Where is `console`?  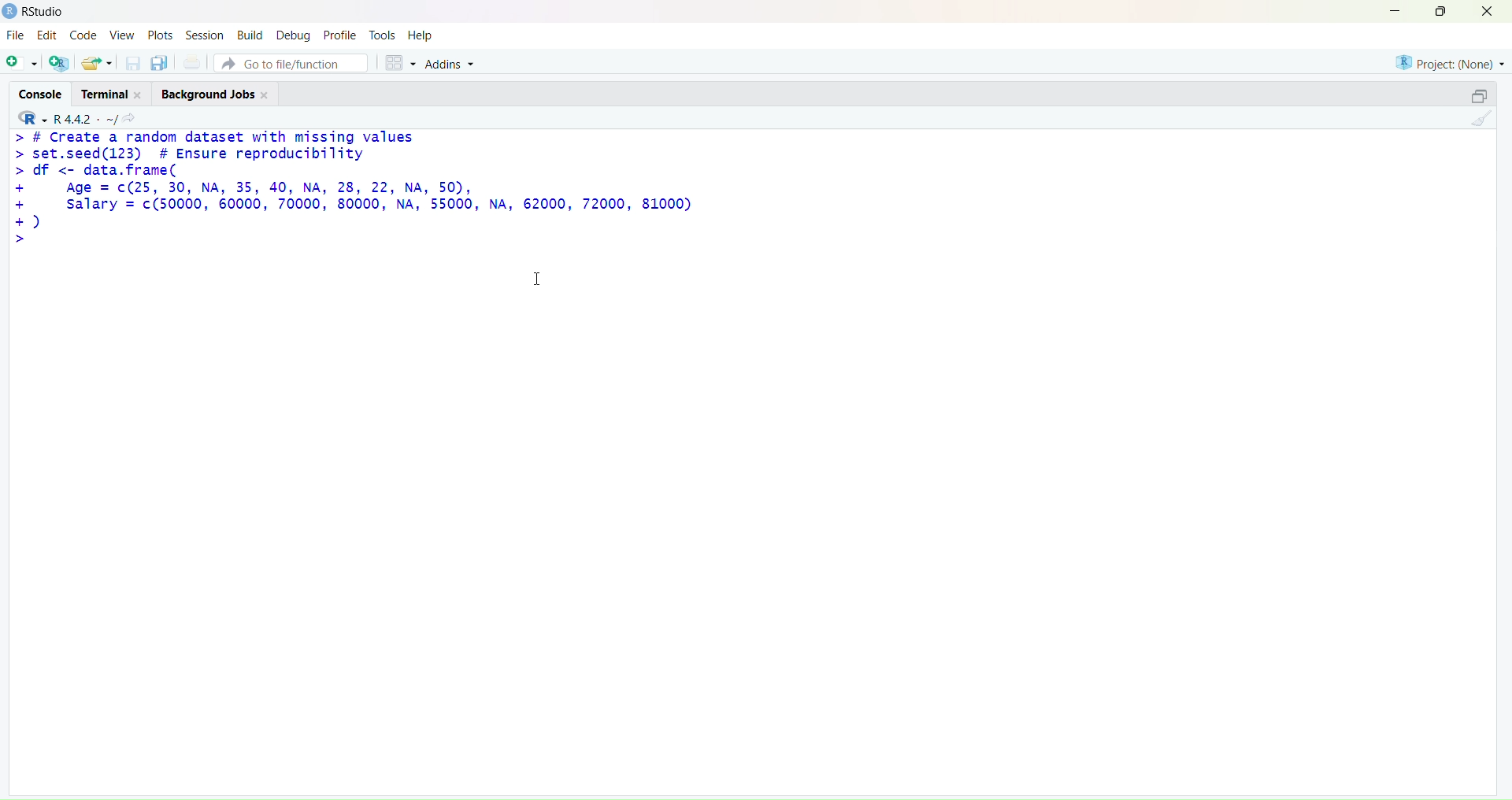 console is located at coordinates (41, 93).